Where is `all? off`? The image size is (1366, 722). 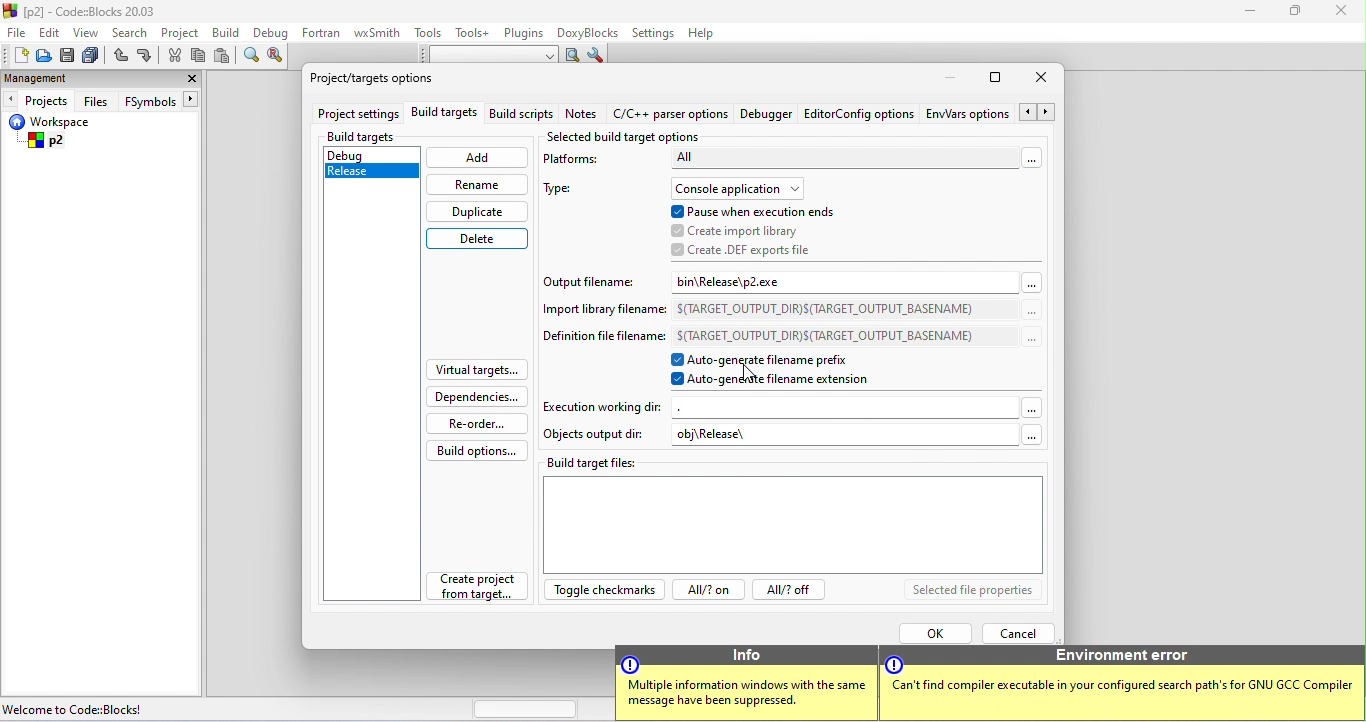
all? off is located at coordinates (793, 592).